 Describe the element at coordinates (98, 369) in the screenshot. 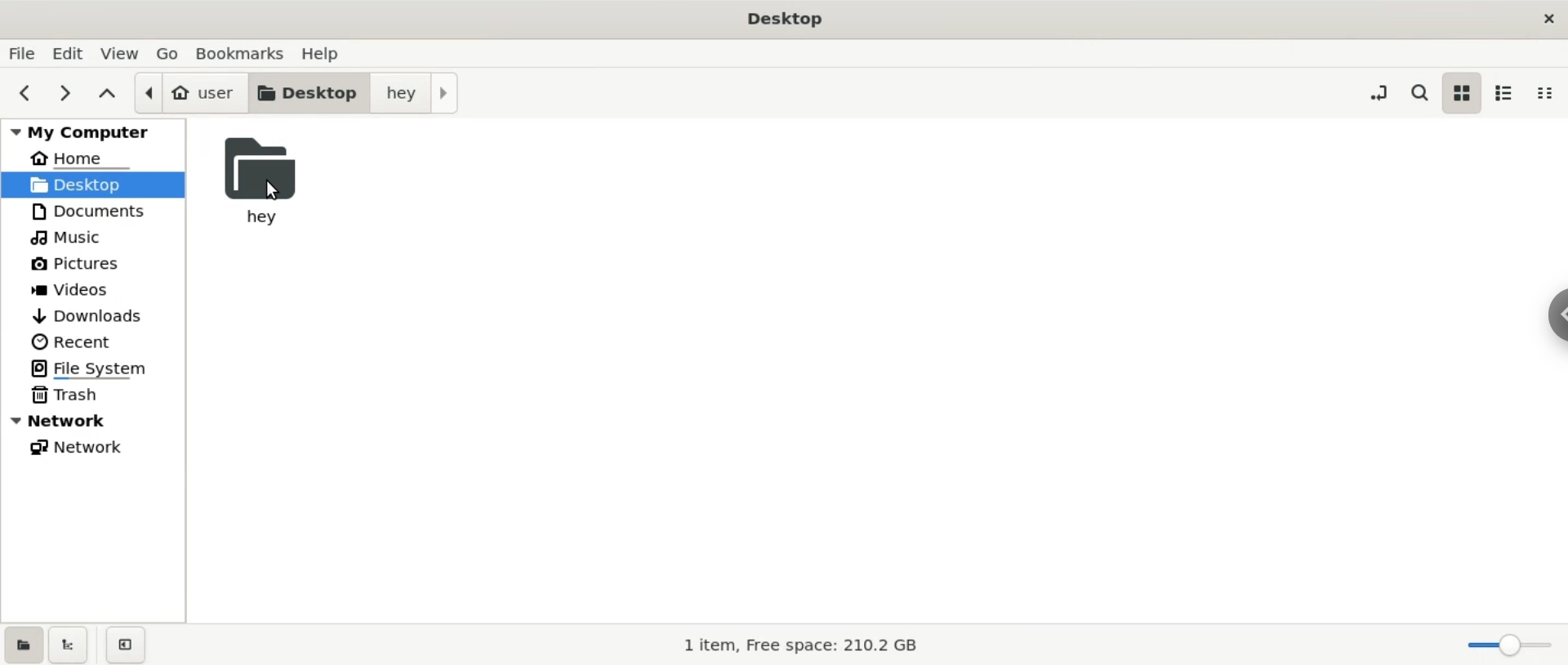

I see `file system` at that location.